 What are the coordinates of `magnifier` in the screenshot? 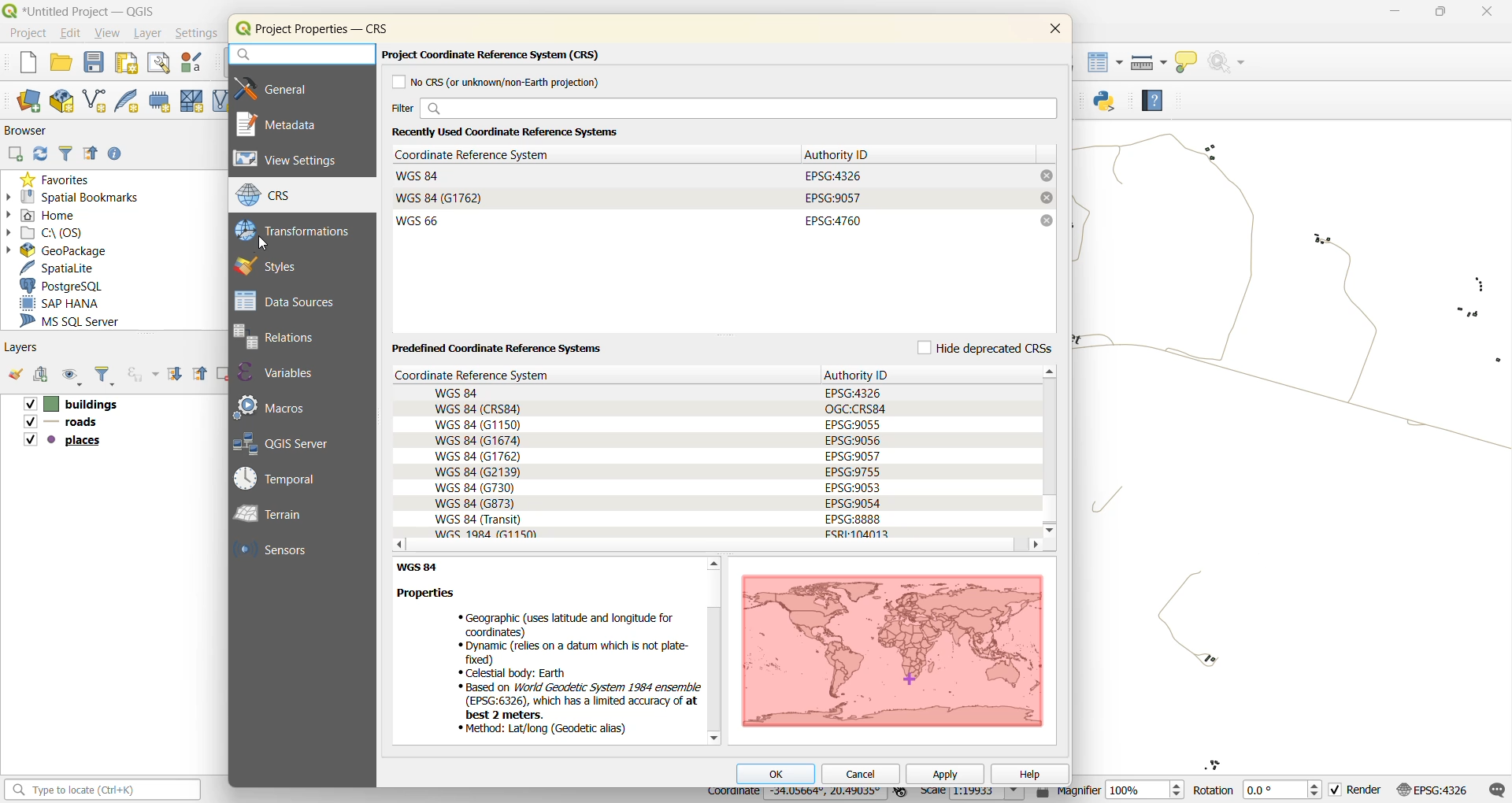 It's located at (1110, 791).